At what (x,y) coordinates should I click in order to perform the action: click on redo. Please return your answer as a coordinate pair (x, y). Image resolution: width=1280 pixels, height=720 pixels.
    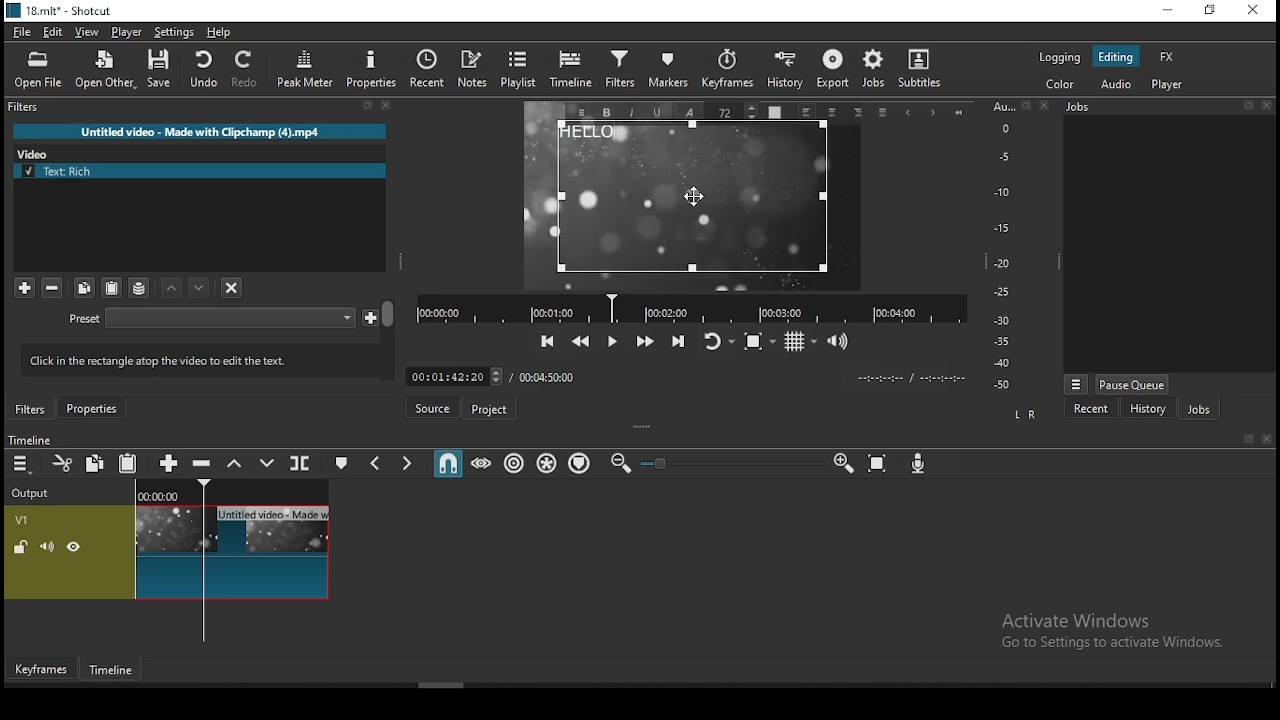
    Looking at the image, I should click on (246, 69).